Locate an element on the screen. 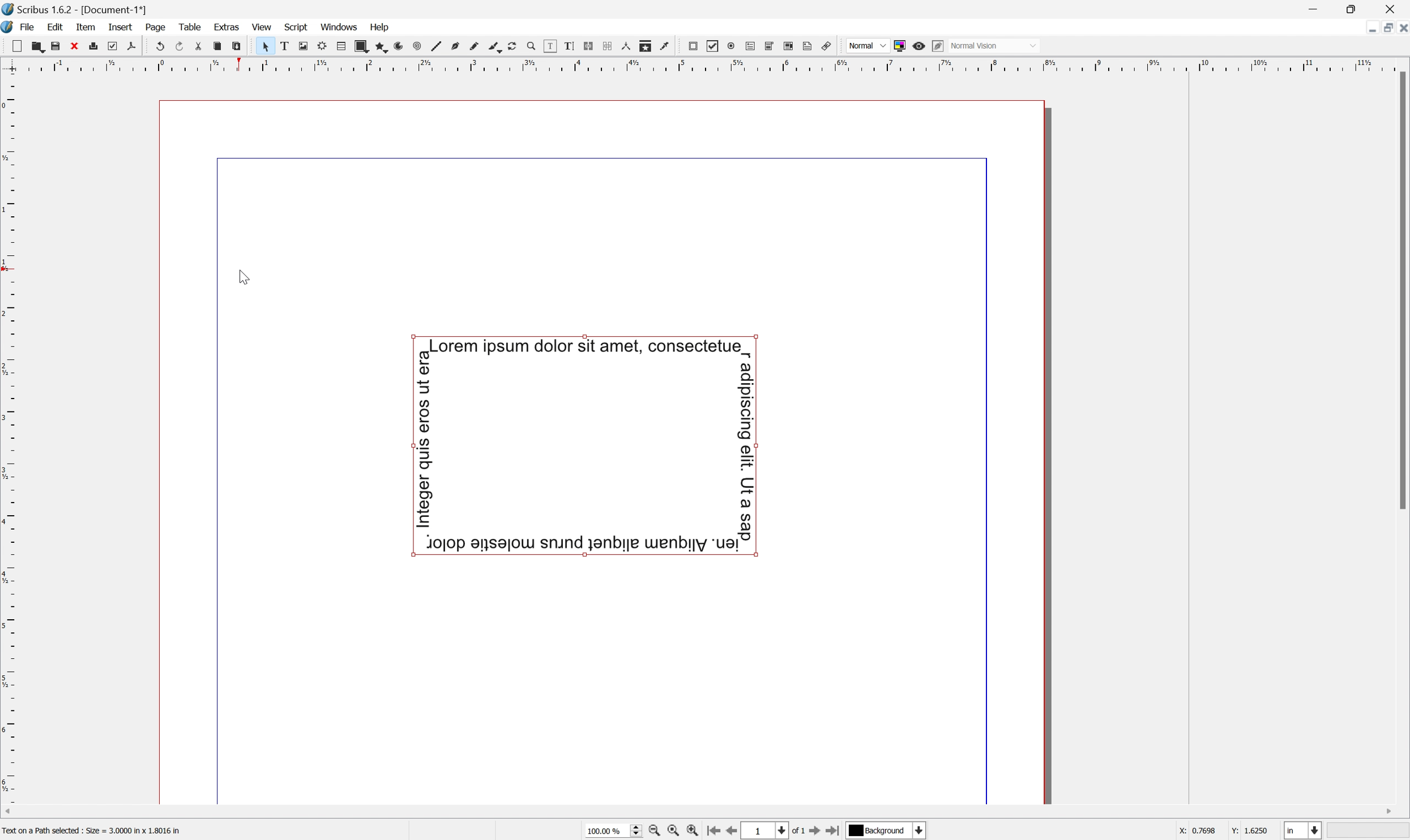 The width and height of the screenshot is (1410, 840). Image frame is located at coordinates (301, 45).